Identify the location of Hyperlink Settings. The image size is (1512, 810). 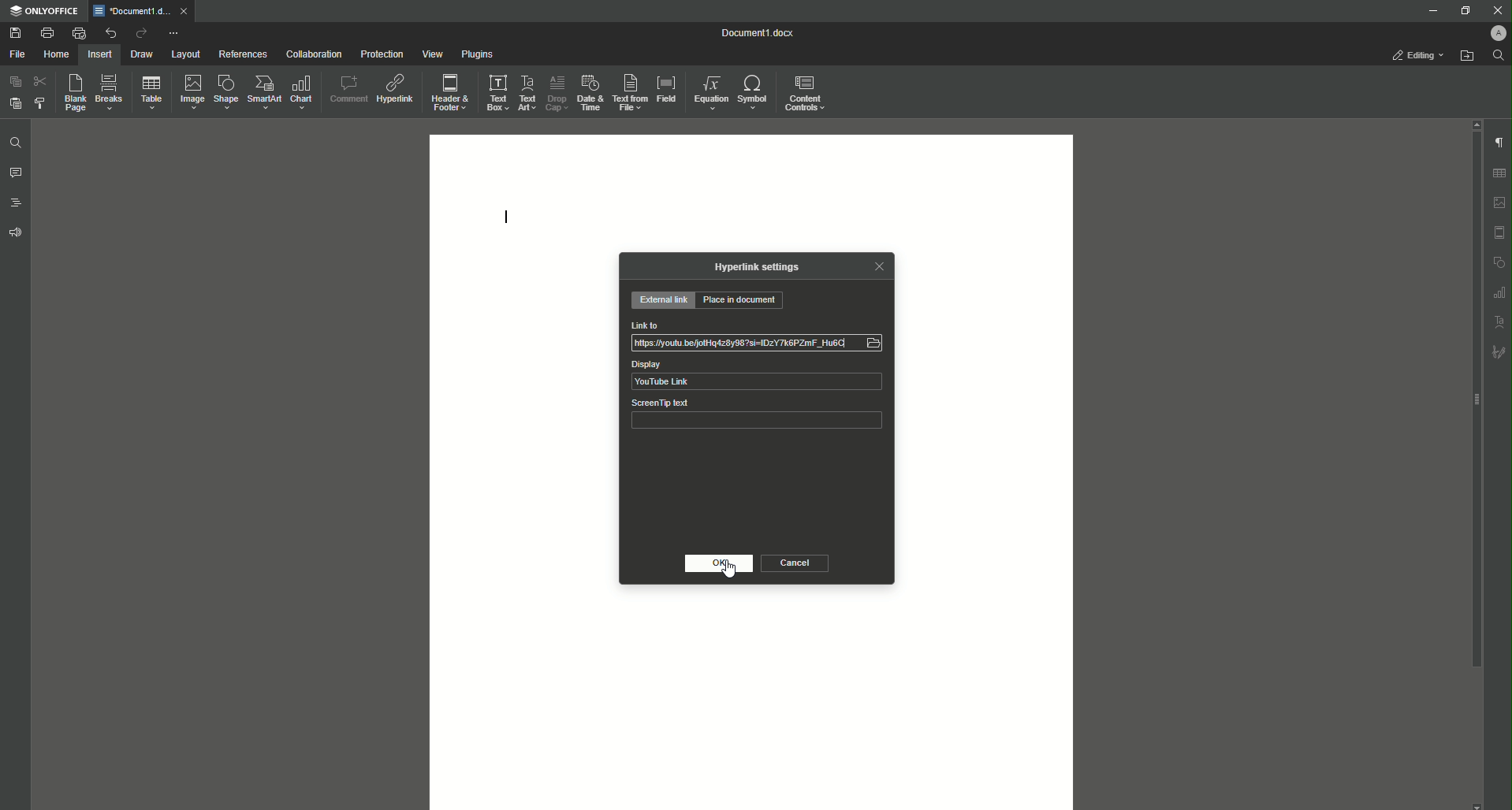
(753, 271).